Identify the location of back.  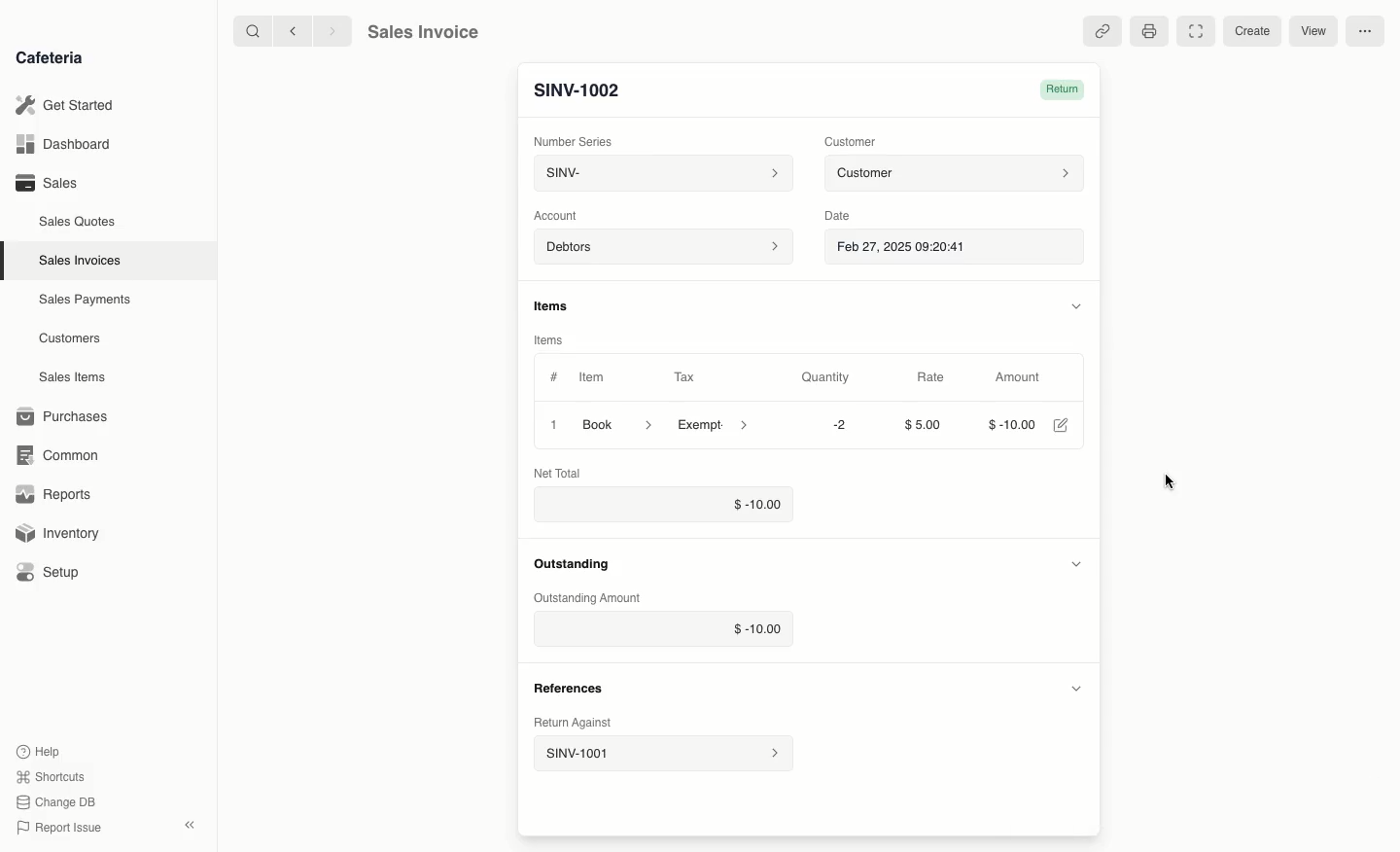
(296, 31).